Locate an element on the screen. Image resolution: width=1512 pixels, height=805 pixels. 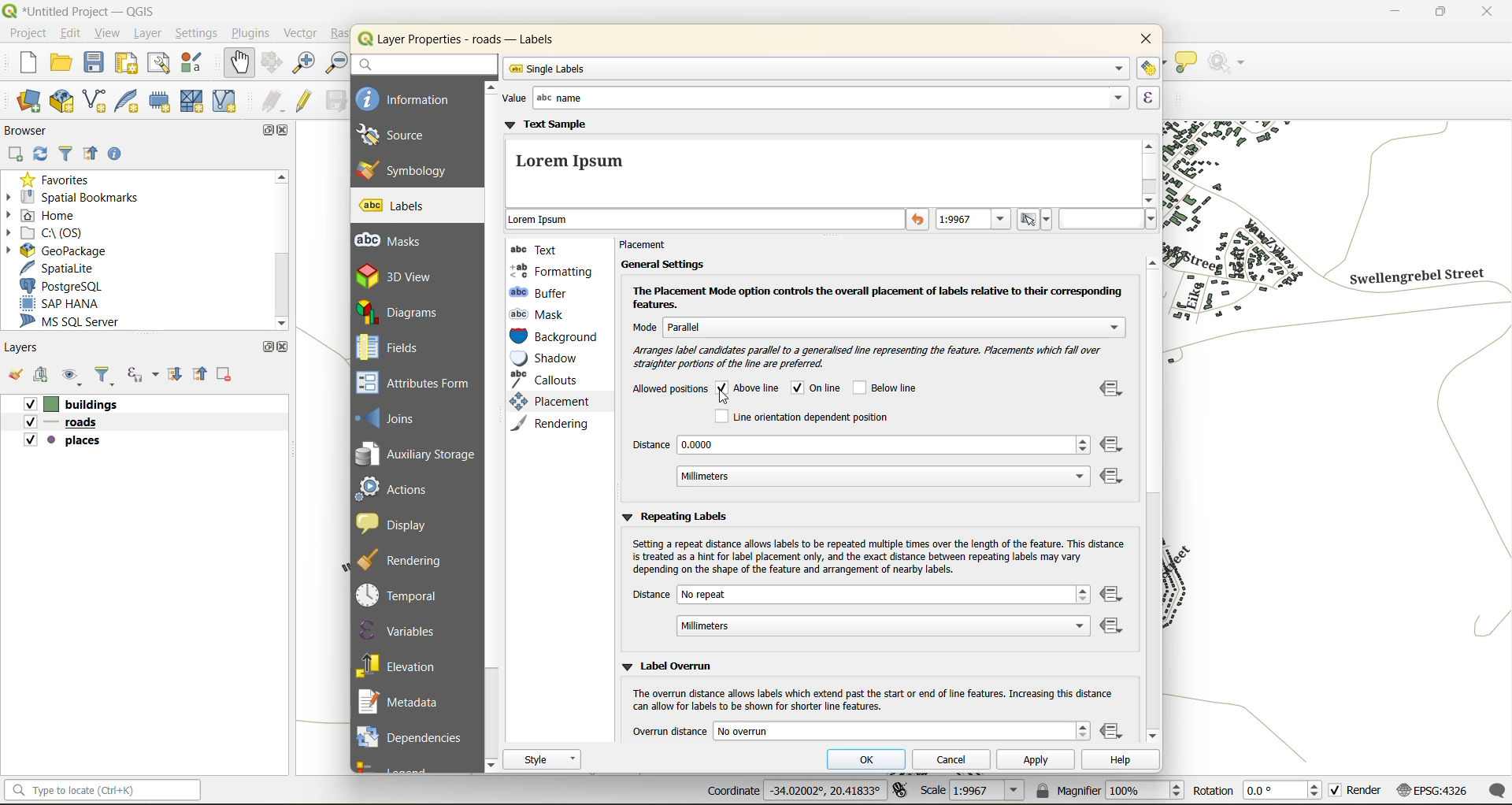
shadow is located at coordinates (554, 358).